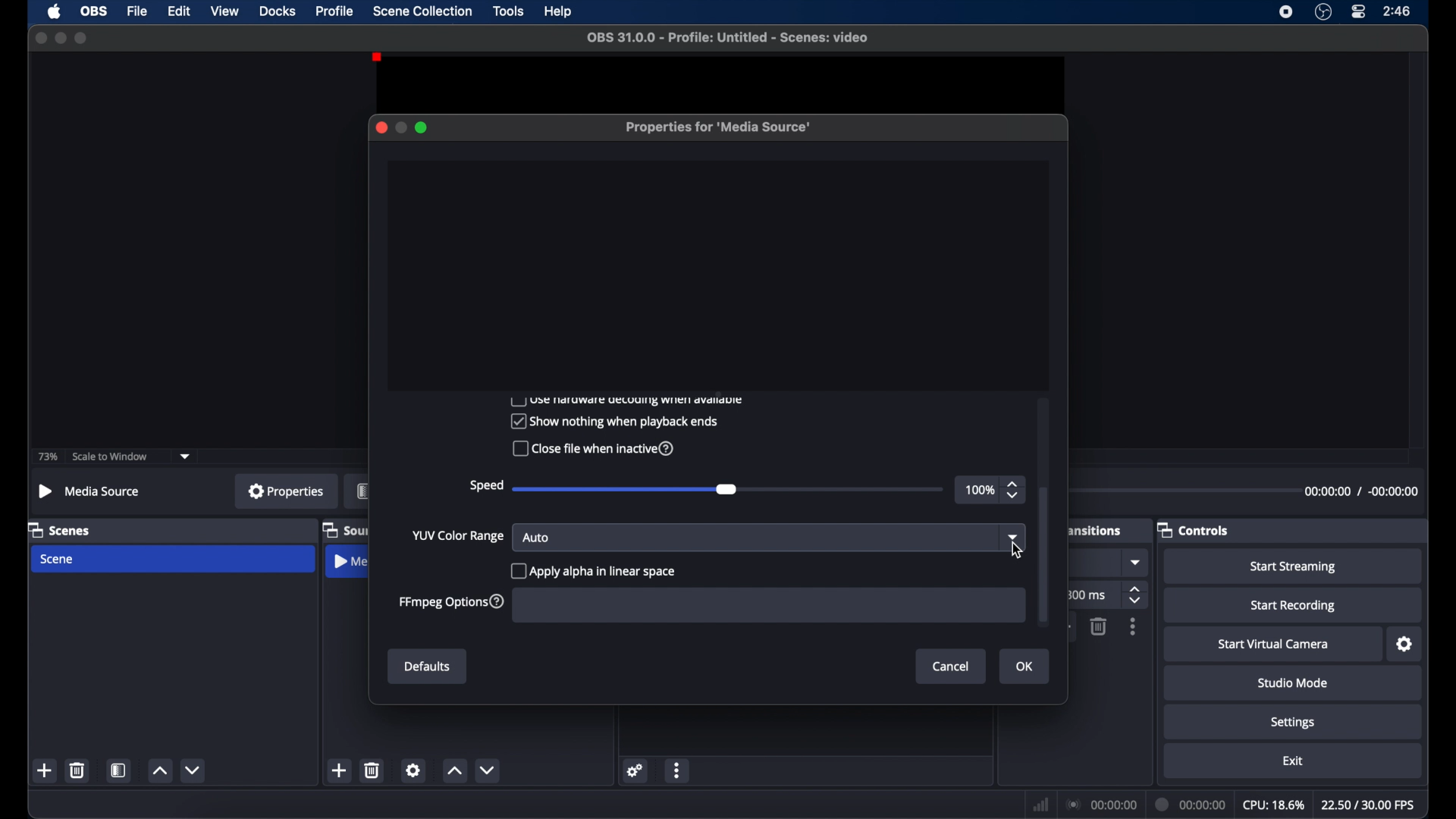 Image resolution: width=1456 pixels, height=819 pixels. What do you see at coordinates (1294, 567) in the screenshot?
I see `start streaming` at bounding box center [1294, 567].